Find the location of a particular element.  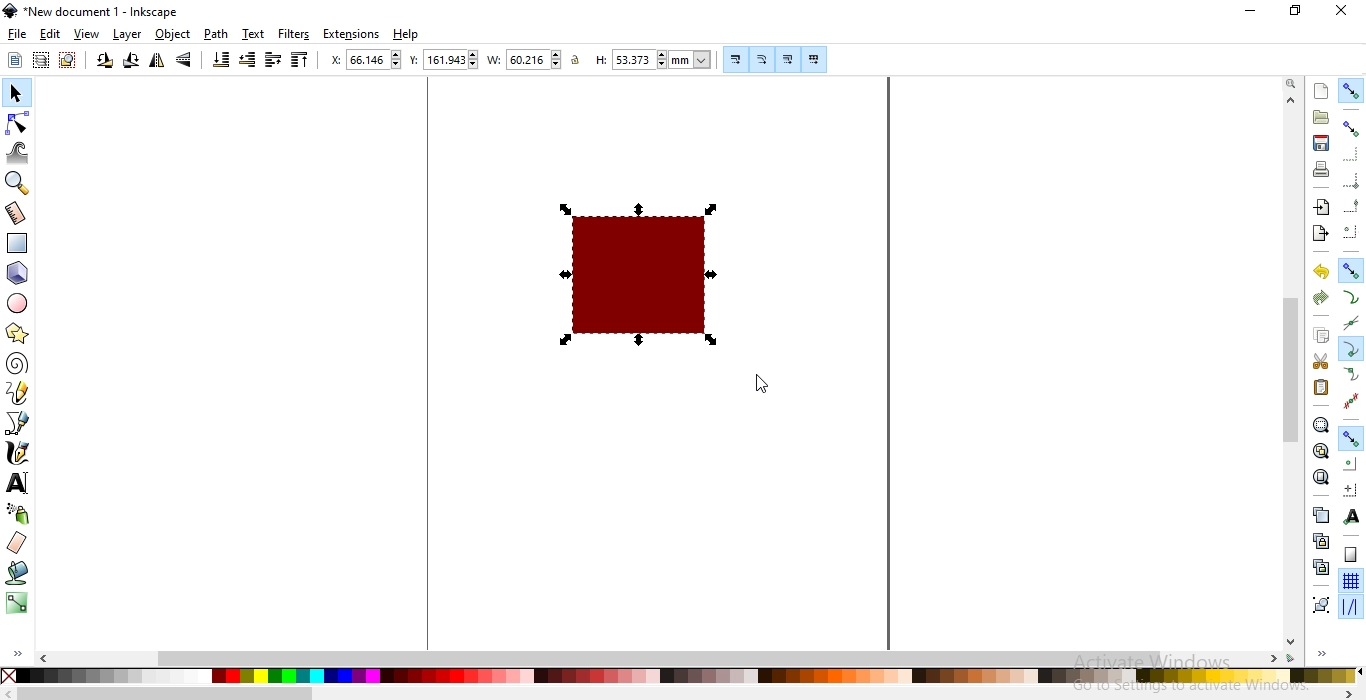

layer is located at coordinates (129, 35).